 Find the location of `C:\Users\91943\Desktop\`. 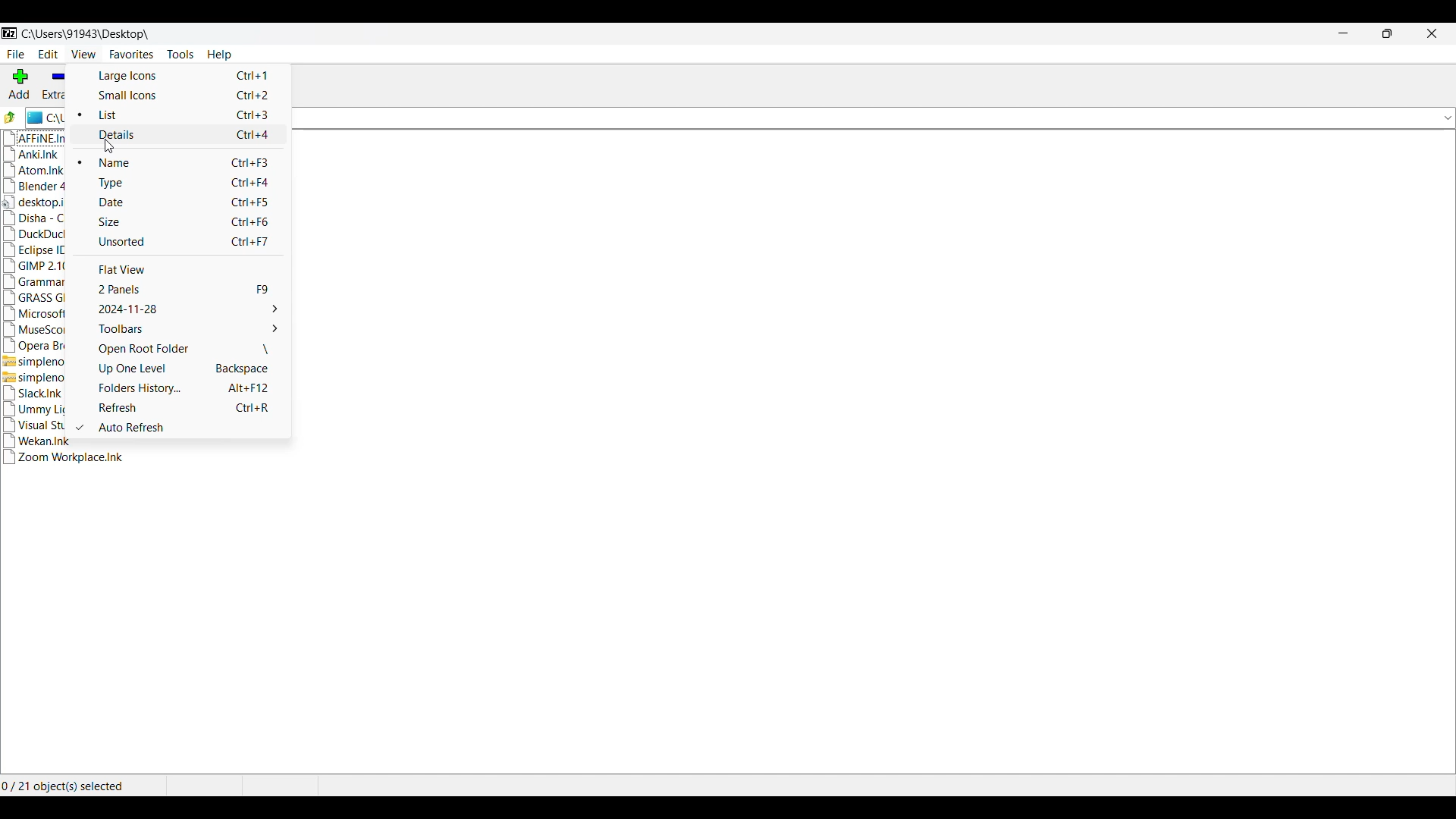

C:\Users\91943\Desktop\ is located at coordinates (88, 35).